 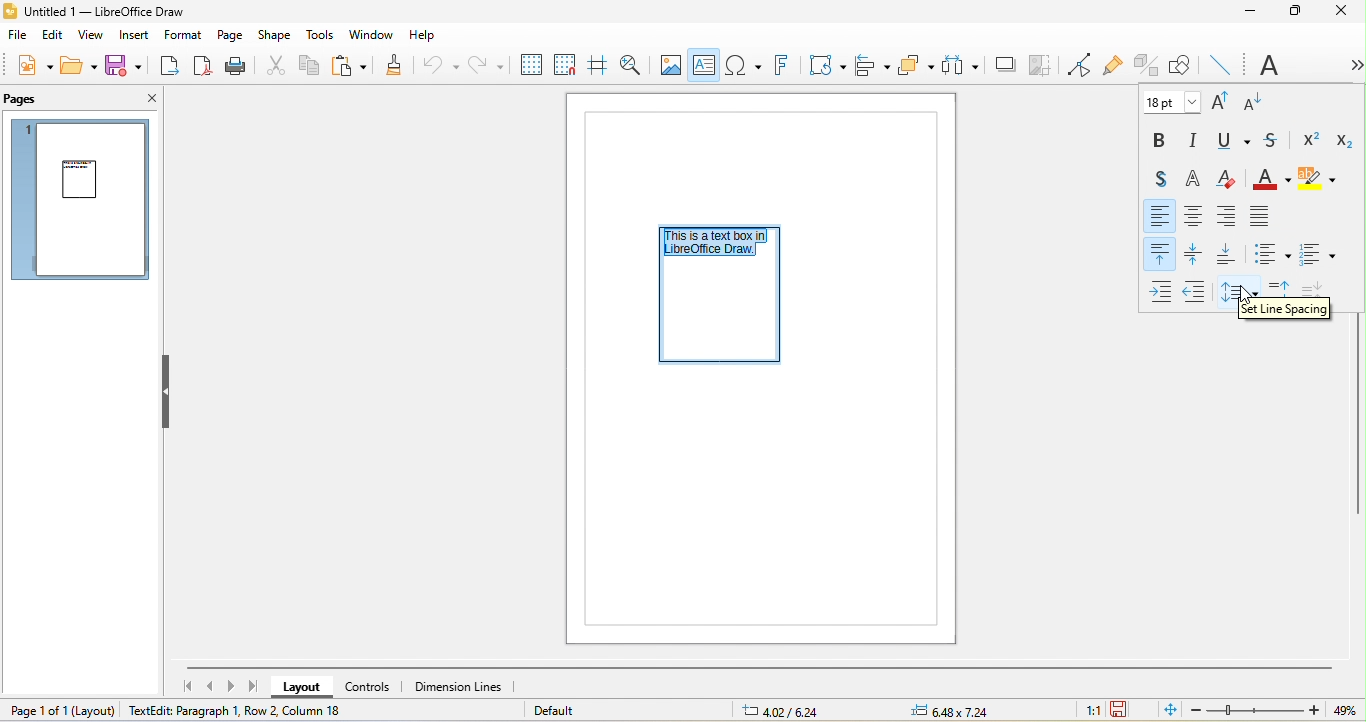 I want to click on insert line, so click(x=1226, y=66).